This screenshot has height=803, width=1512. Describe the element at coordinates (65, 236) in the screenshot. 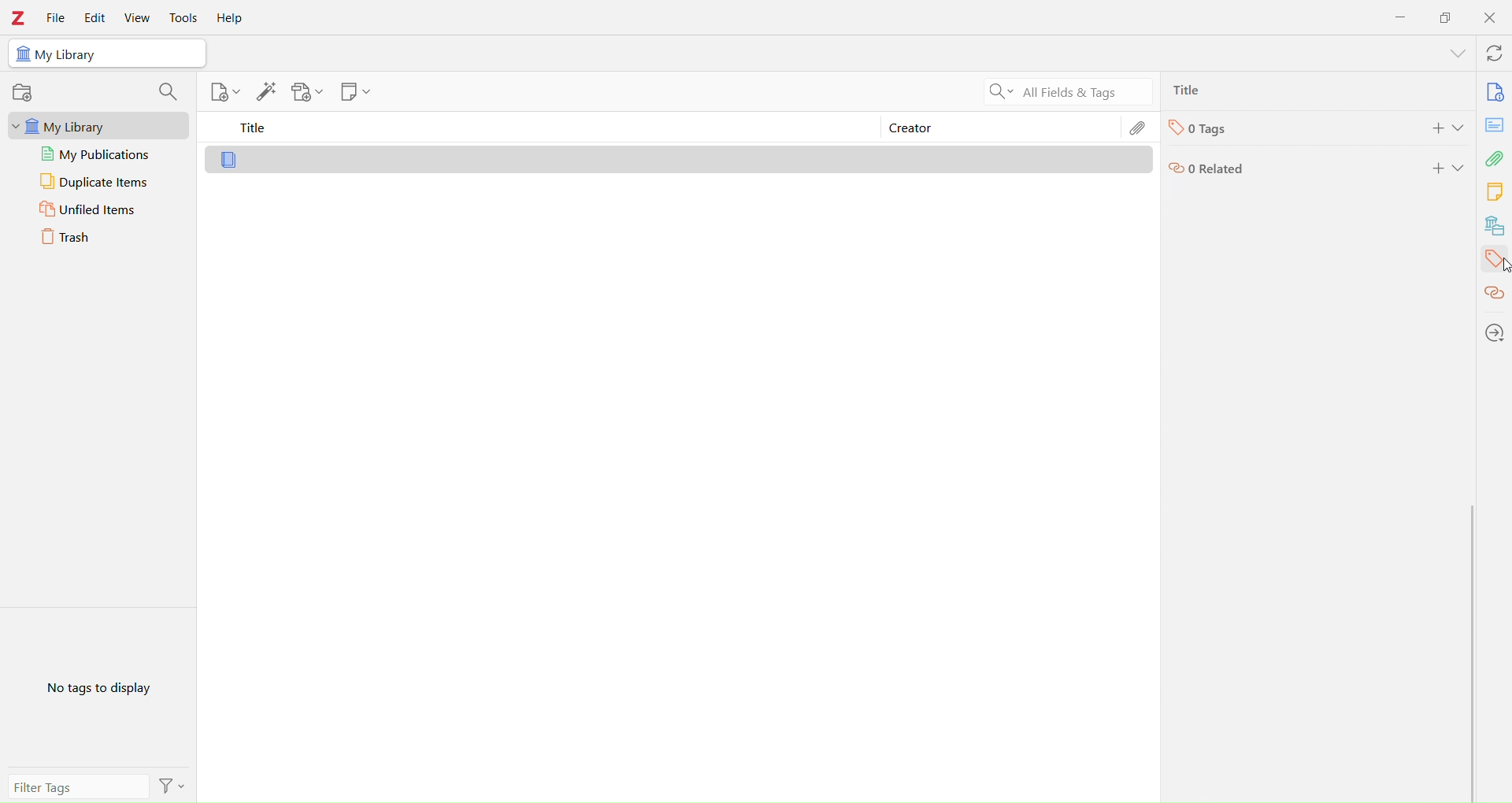

I see `Trash` at that location.